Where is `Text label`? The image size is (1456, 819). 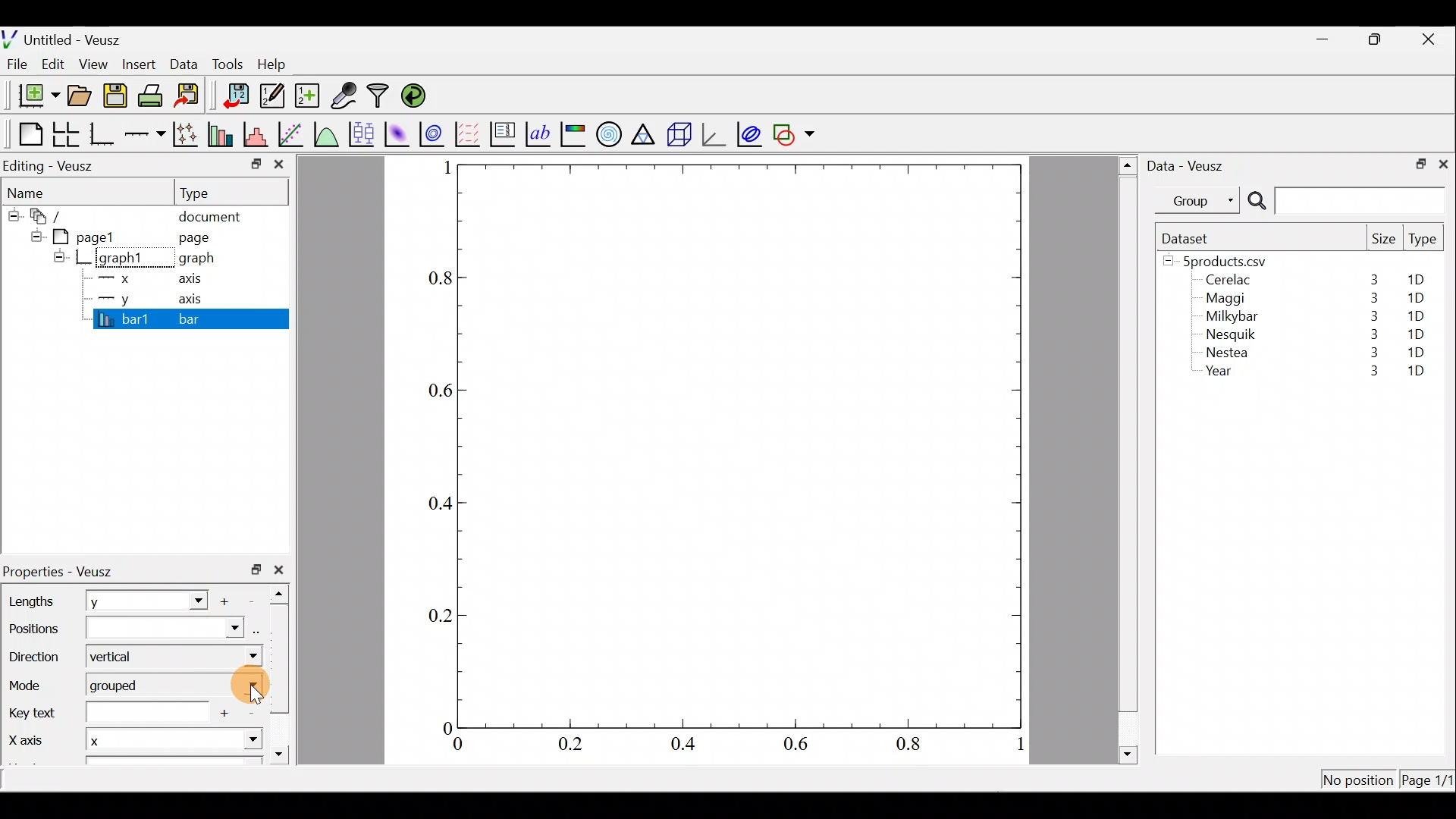 Text label is located at coordinates (540, 132).